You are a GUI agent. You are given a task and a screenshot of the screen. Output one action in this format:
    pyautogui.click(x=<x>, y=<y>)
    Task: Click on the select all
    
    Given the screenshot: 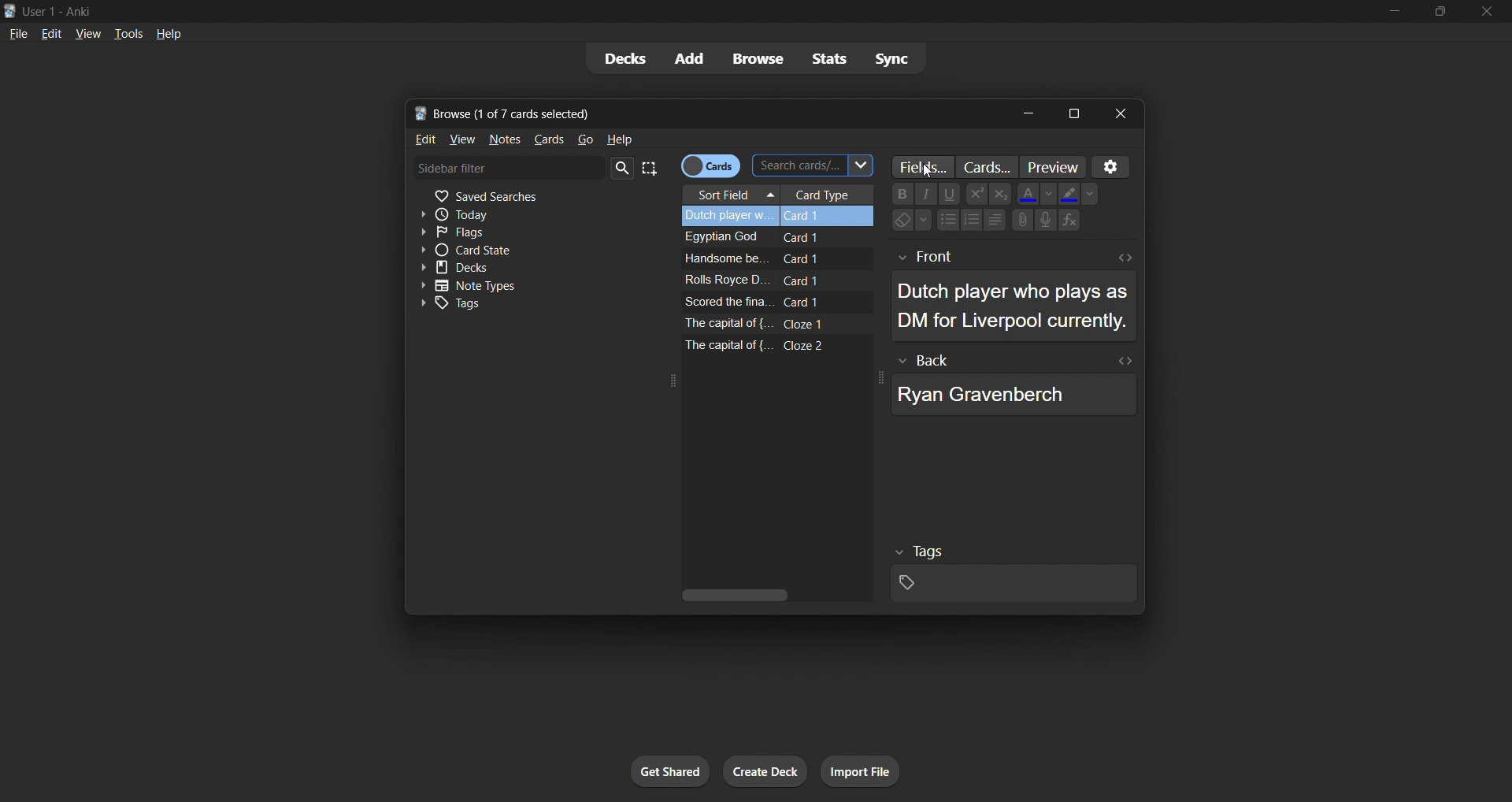 What is the action you would take?
    pyautogui.click(x=652, y=169)
    